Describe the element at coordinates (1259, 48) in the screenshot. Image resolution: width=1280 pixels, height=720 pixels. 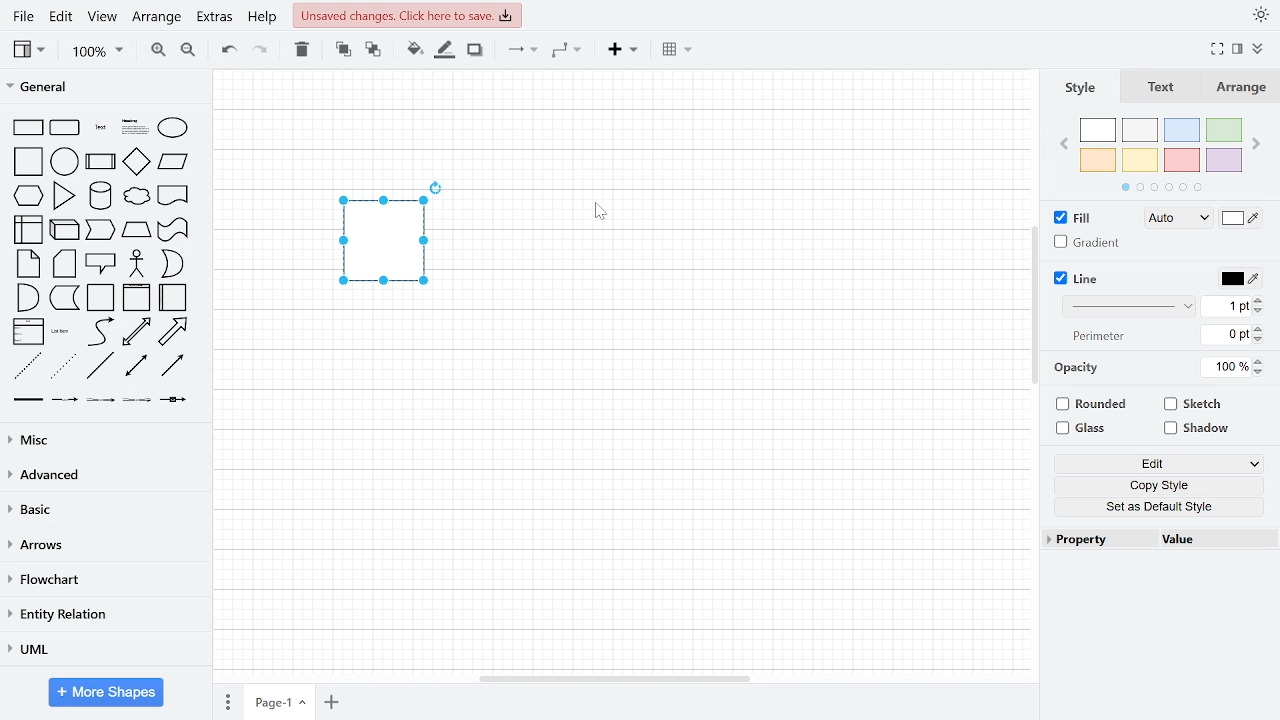
I see `collapse` at that location.